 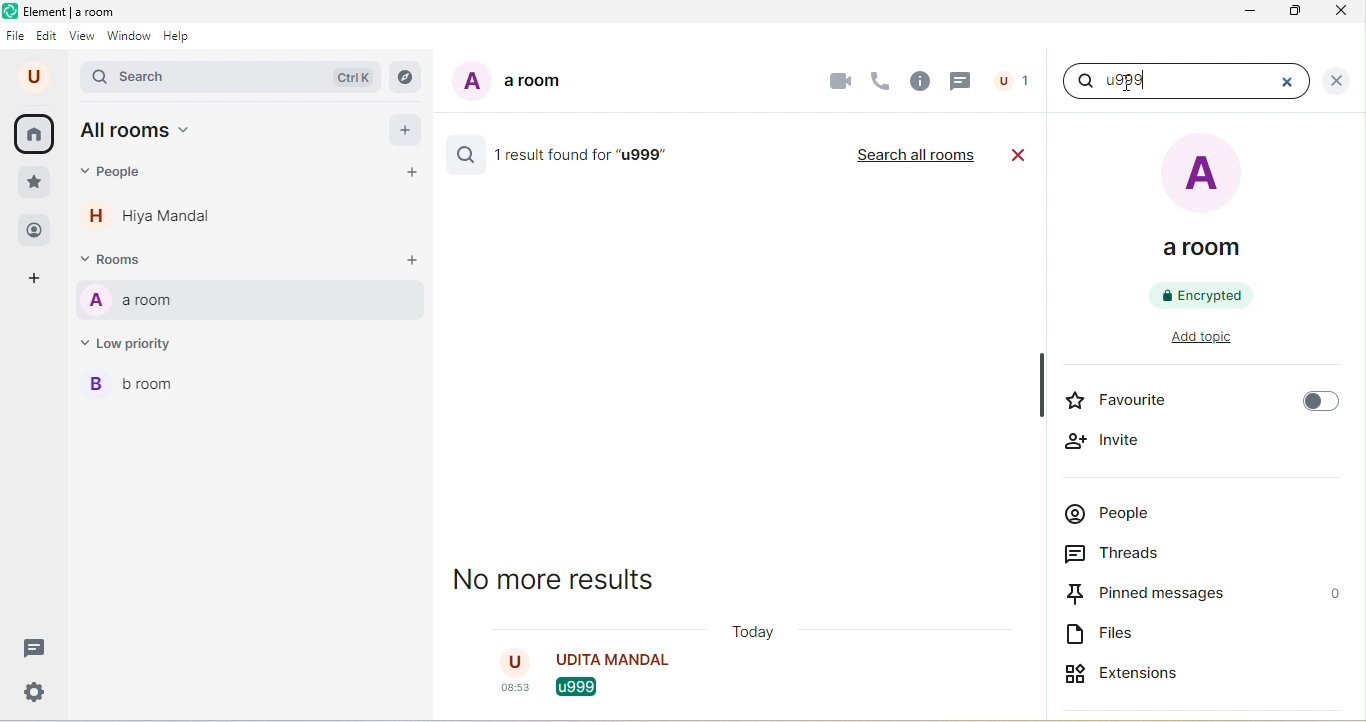 What do you see at coordinates (1297, 14) in the screenshot?
I see `maximize` at bounding box center [1297, 14].